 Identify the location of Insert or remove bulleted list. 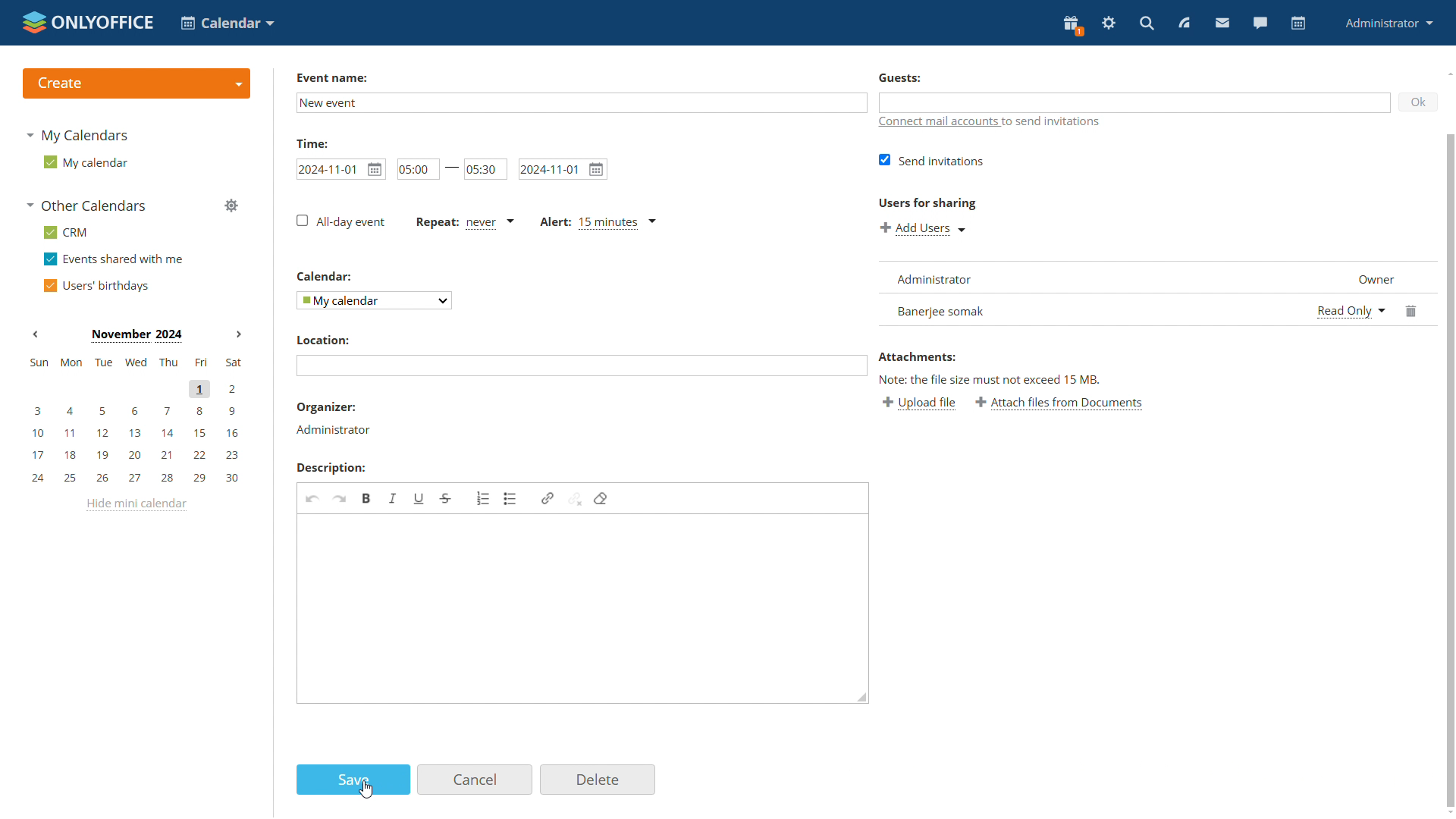
(512, 500).